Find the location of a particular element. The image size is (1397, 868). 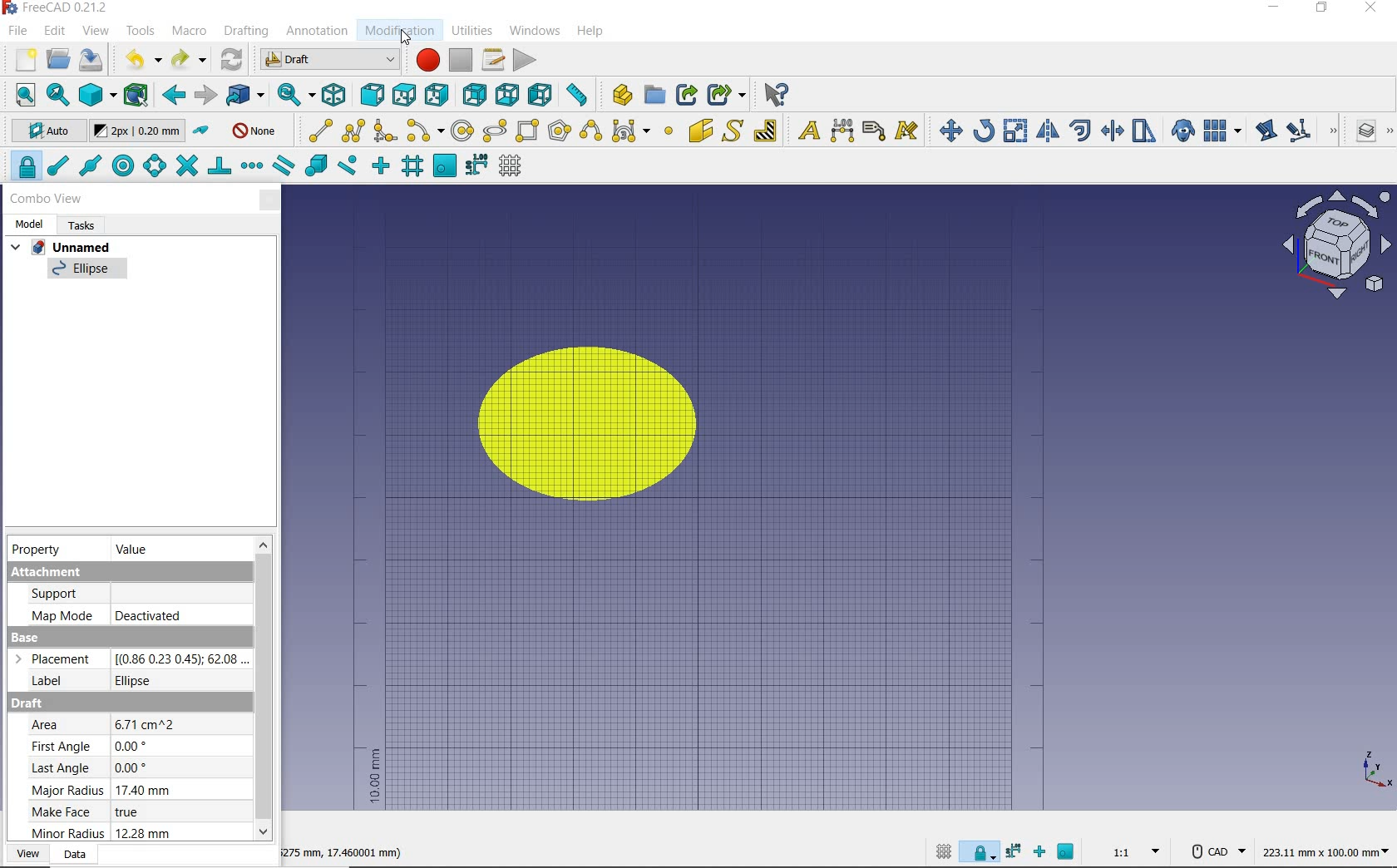

base is located at coordinates (127, 663).